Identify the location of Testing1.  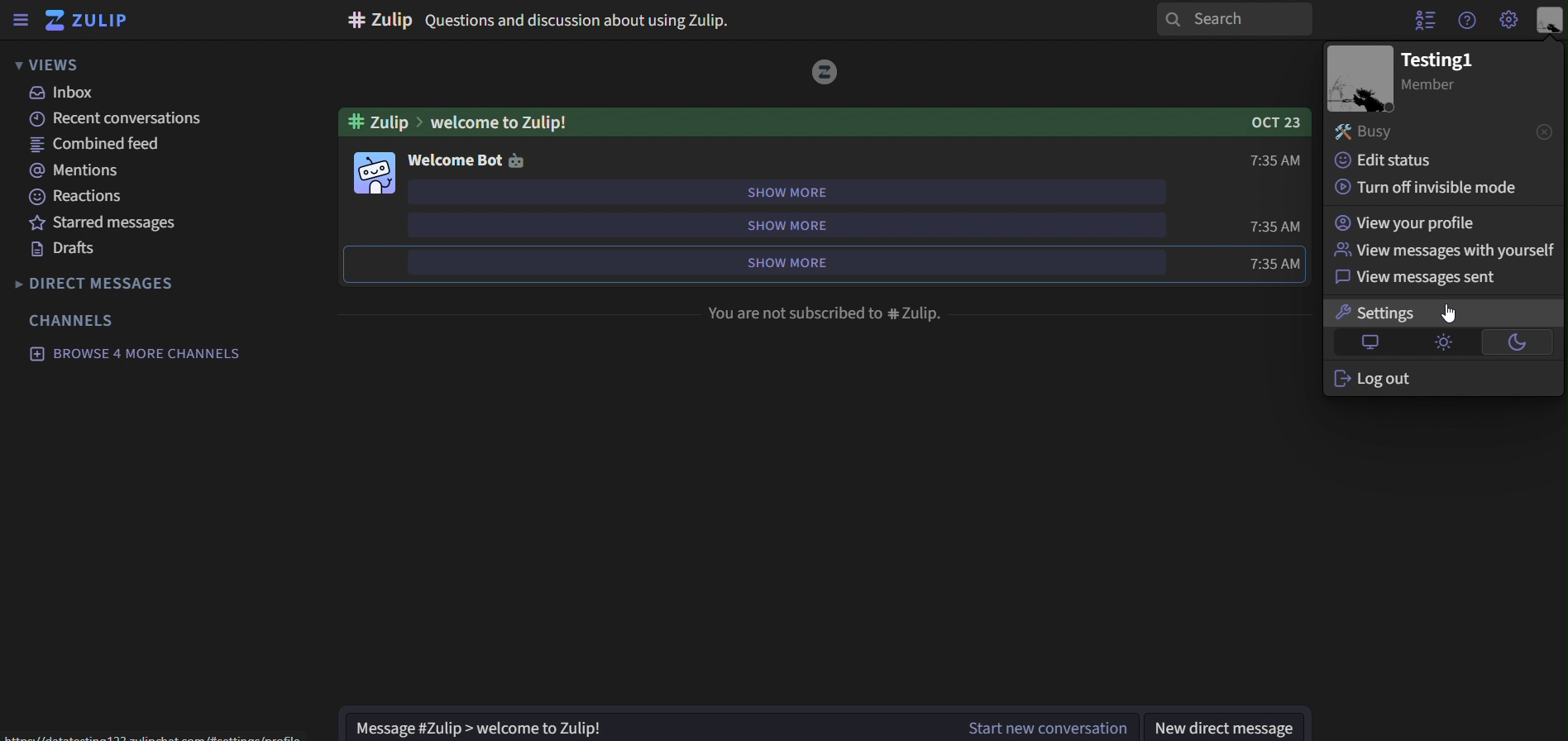
(1450, 56).